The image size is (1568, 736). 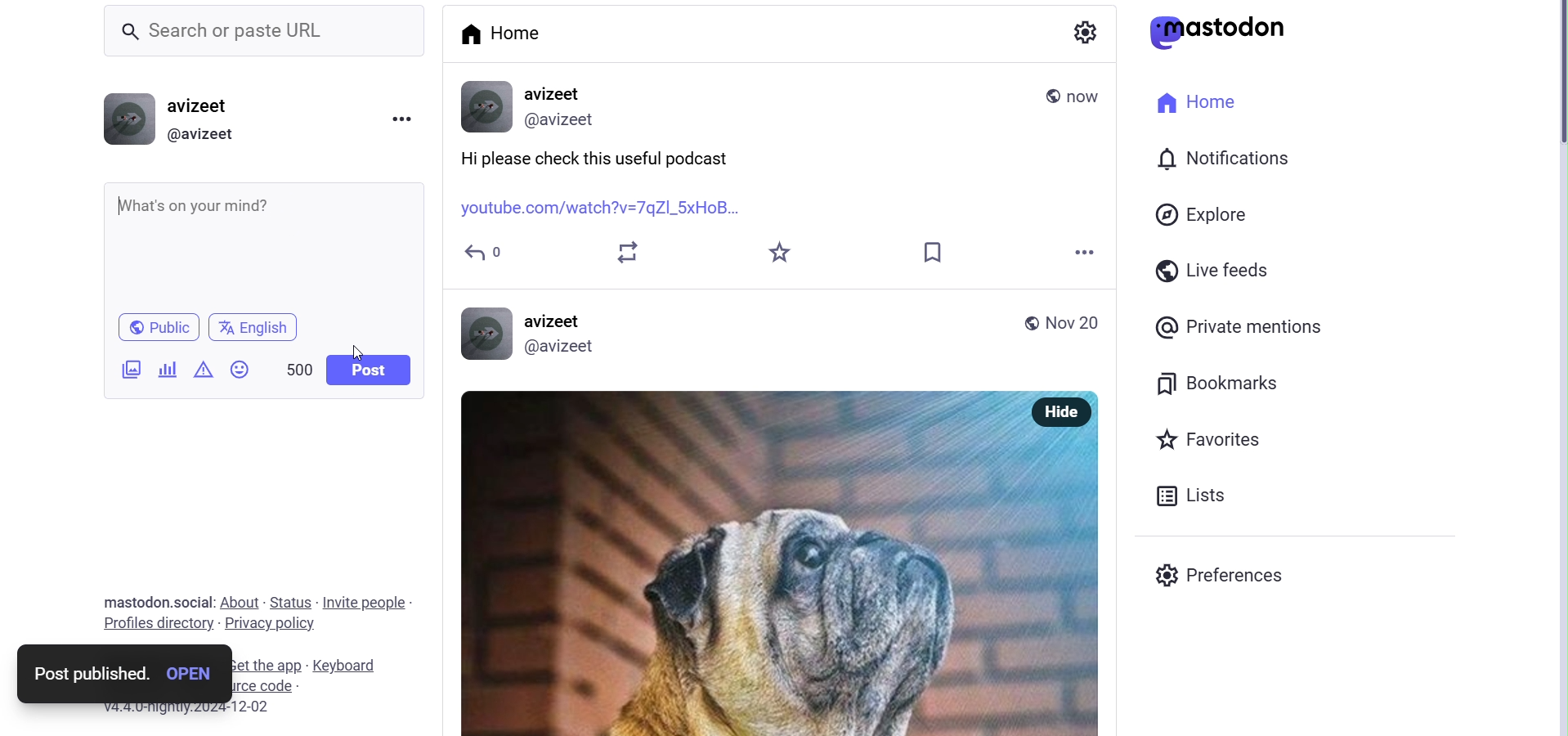 I want to click on profile picture, so click(x=483, y=106).